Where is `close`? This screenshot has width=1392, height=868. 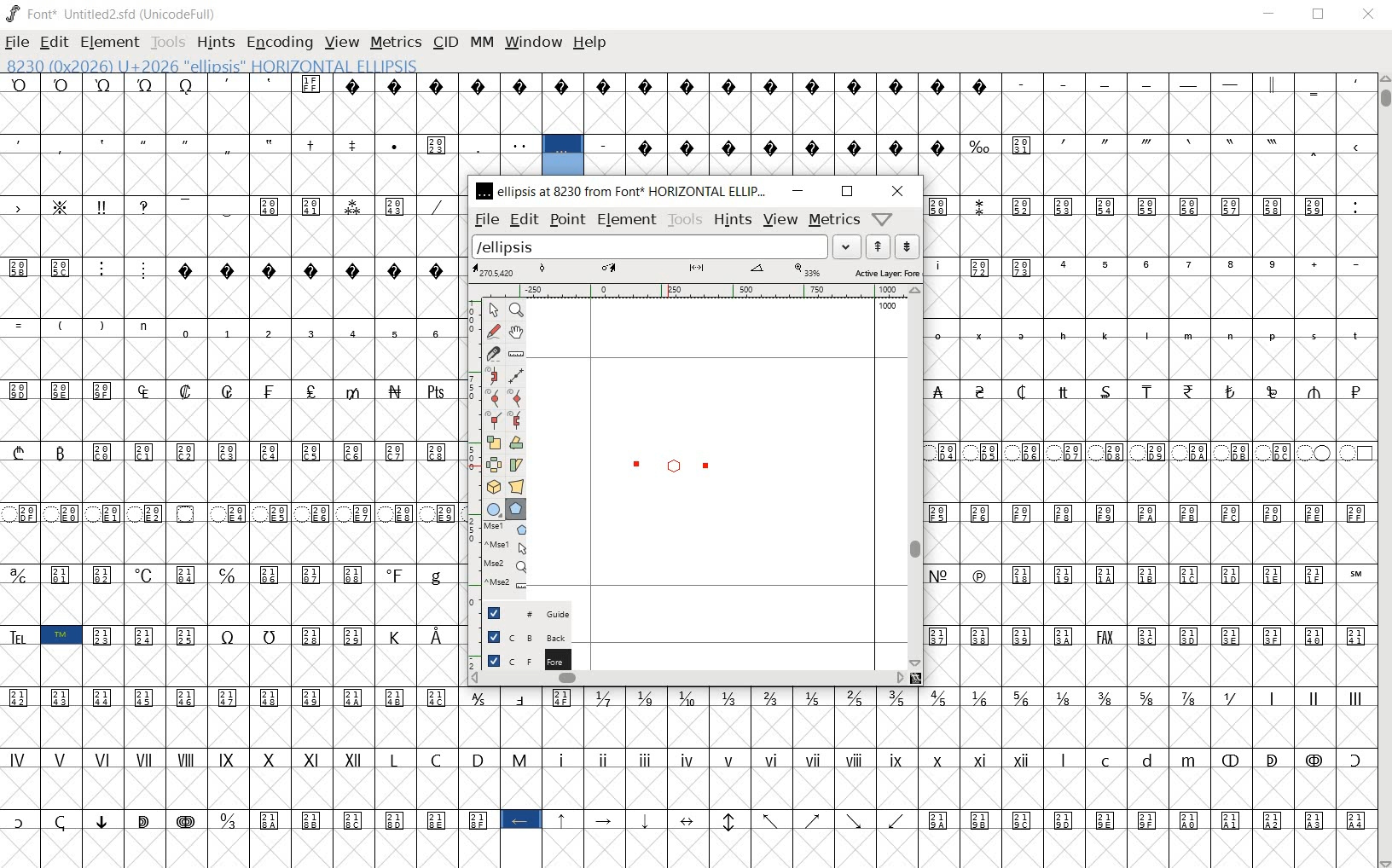
close is located at coordinates (896, 190).